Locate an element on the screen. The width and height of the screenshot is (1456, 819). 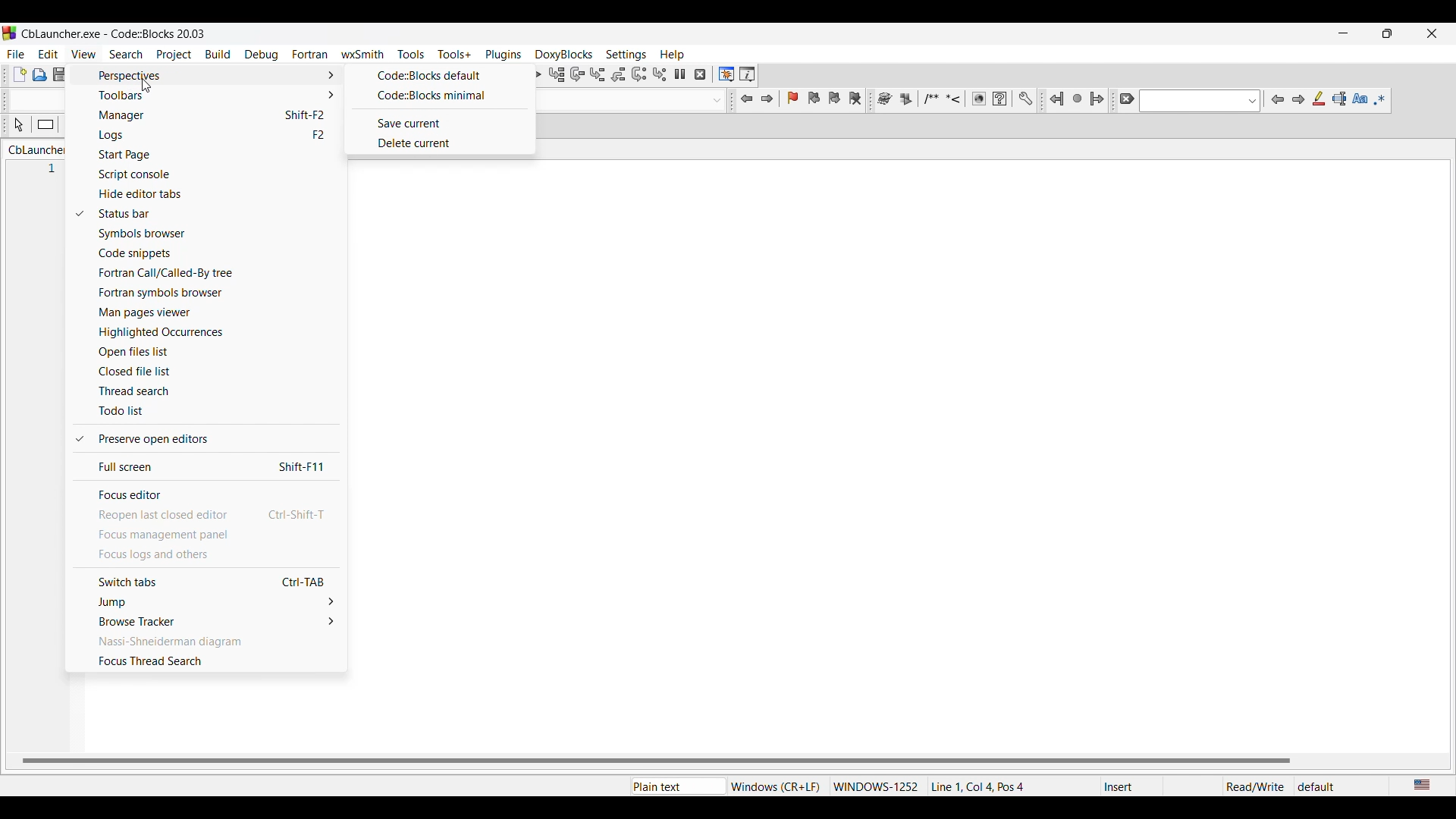
Fortran call/Called-By tree is located at coordinates (218, 273).